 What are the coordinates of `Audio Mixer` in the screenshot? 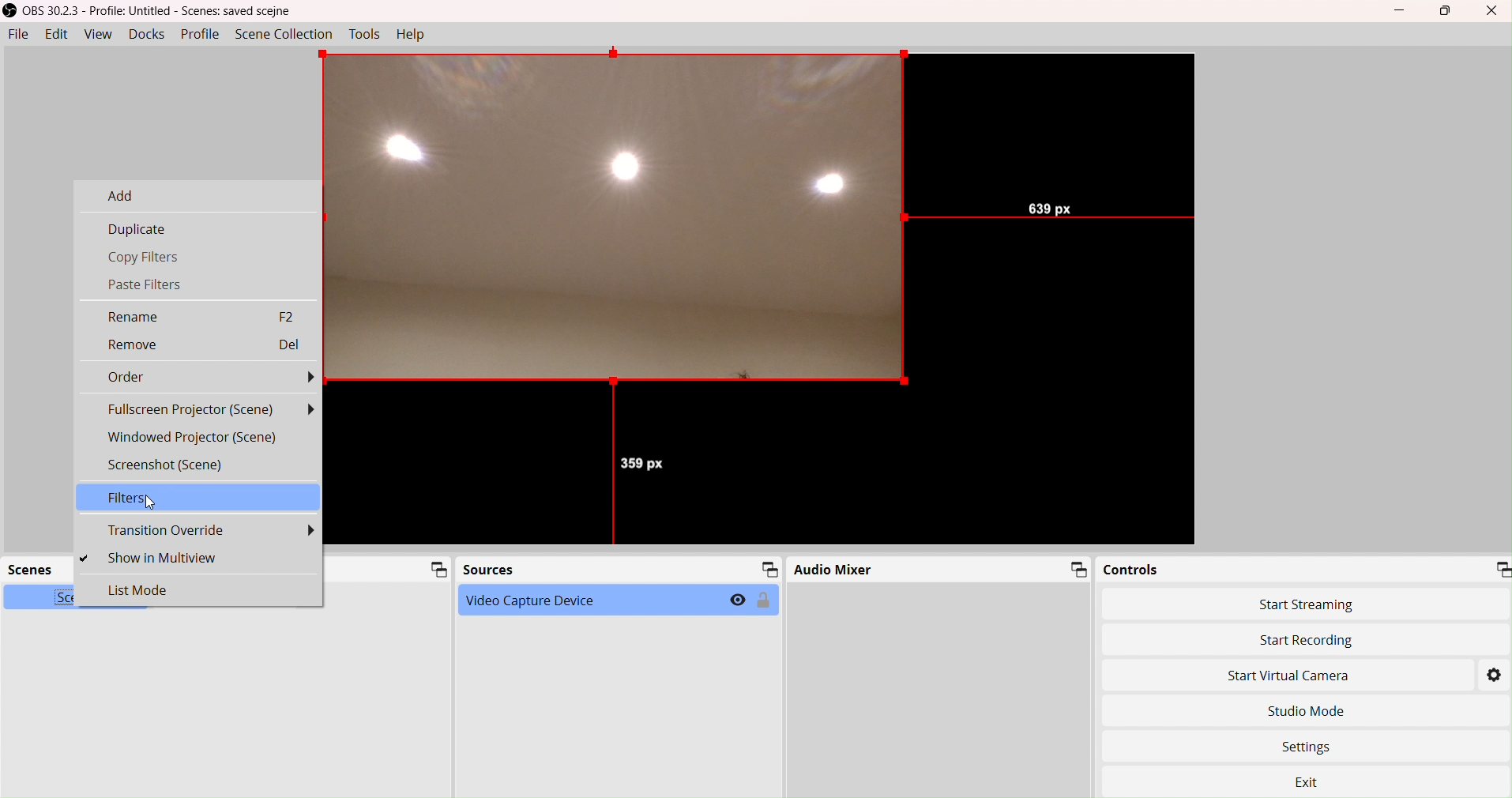 It's located at (940, 570).